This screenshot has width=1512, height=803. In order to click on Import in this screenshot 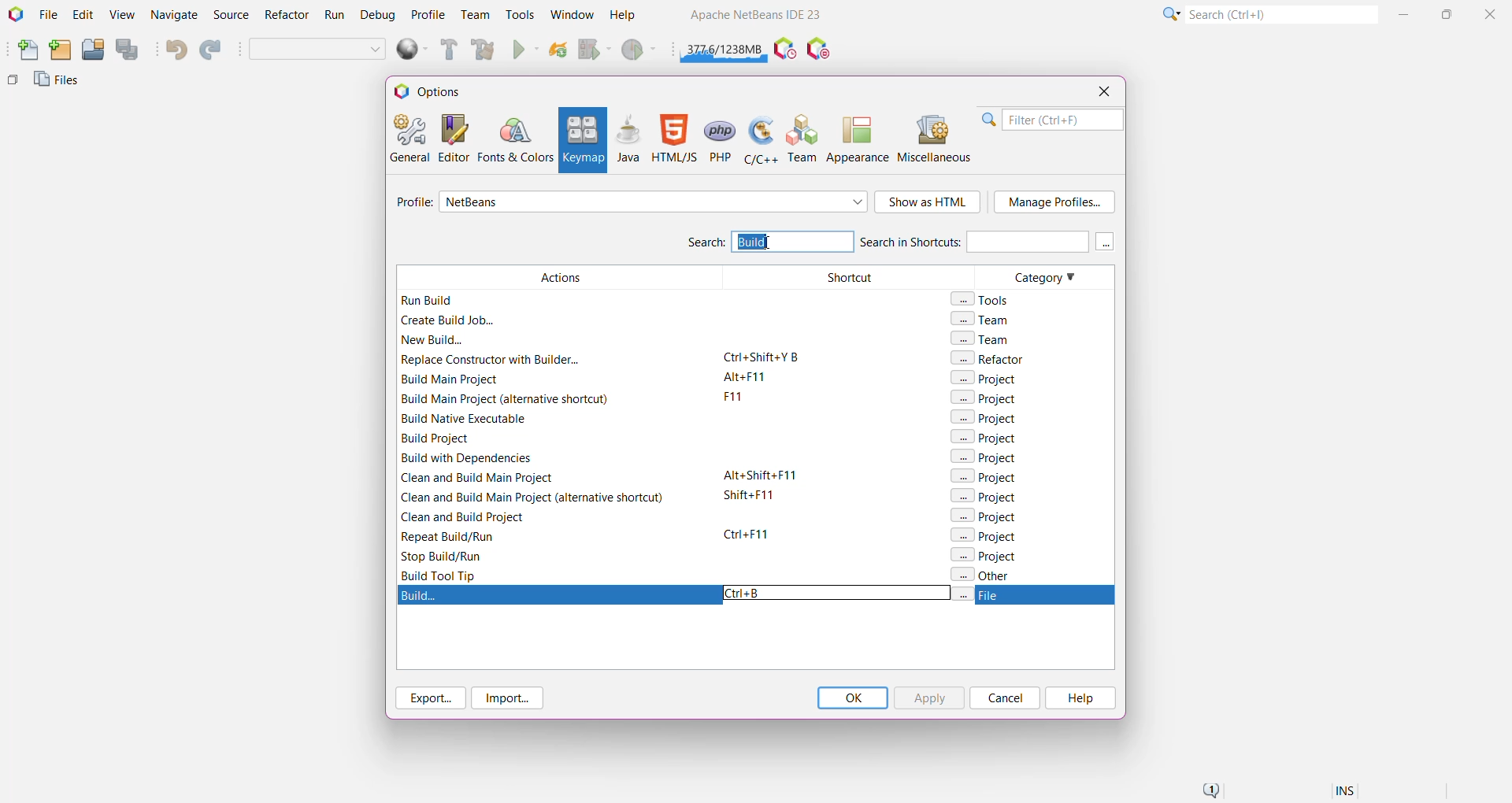, I will do `click(510, 698)`.